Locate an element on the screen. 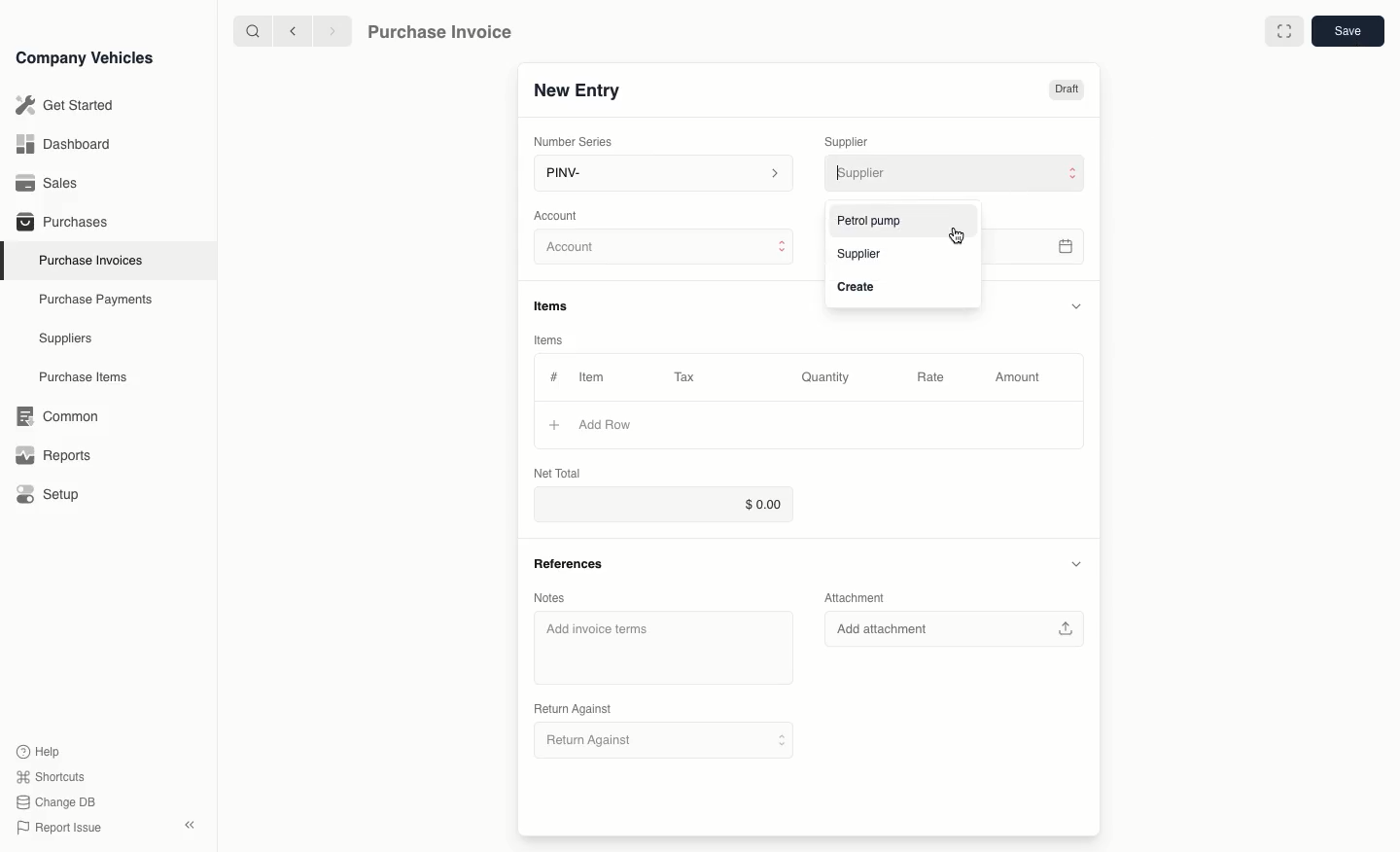  Supplier BN is located at coordinates (896, 255).